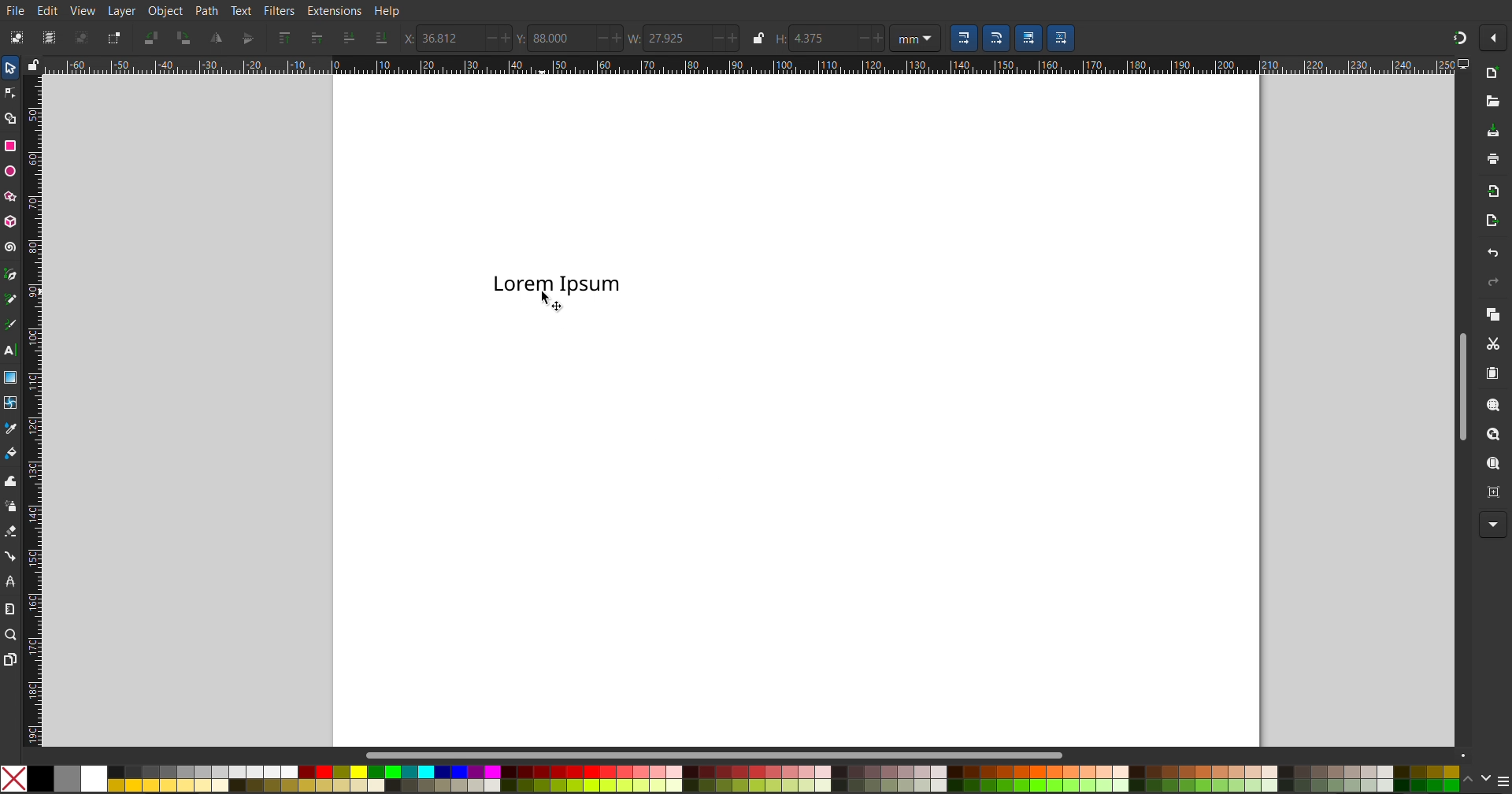 The width and height of the screenshot is (1512, 794). I want to click on Gradient Tool, so click(11, 374).